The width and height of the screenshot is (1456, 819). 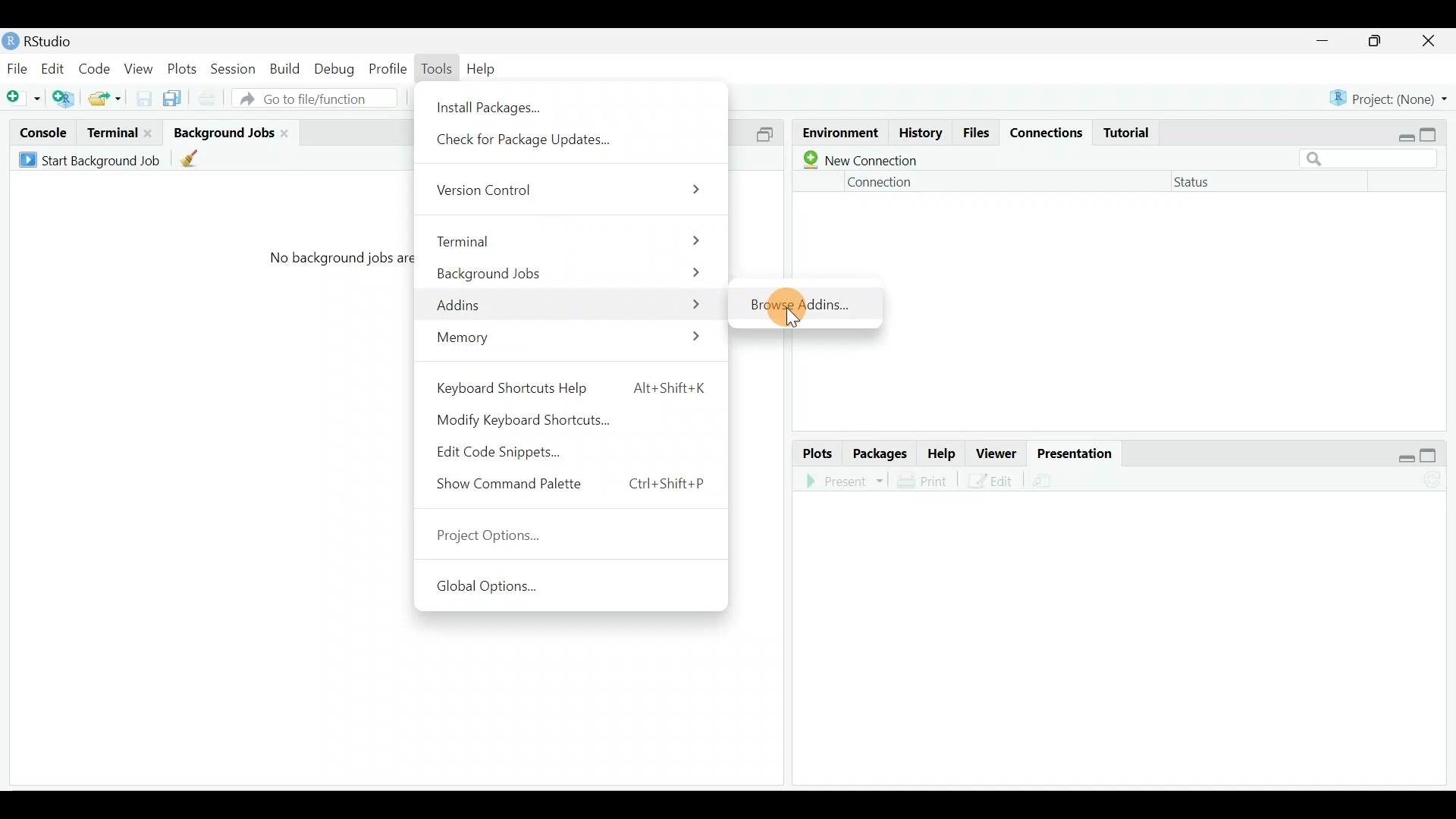 What do you see at coordinates (1434, 132) in the screenshot?
I see `maximize` at bounding box center [1434, 132].